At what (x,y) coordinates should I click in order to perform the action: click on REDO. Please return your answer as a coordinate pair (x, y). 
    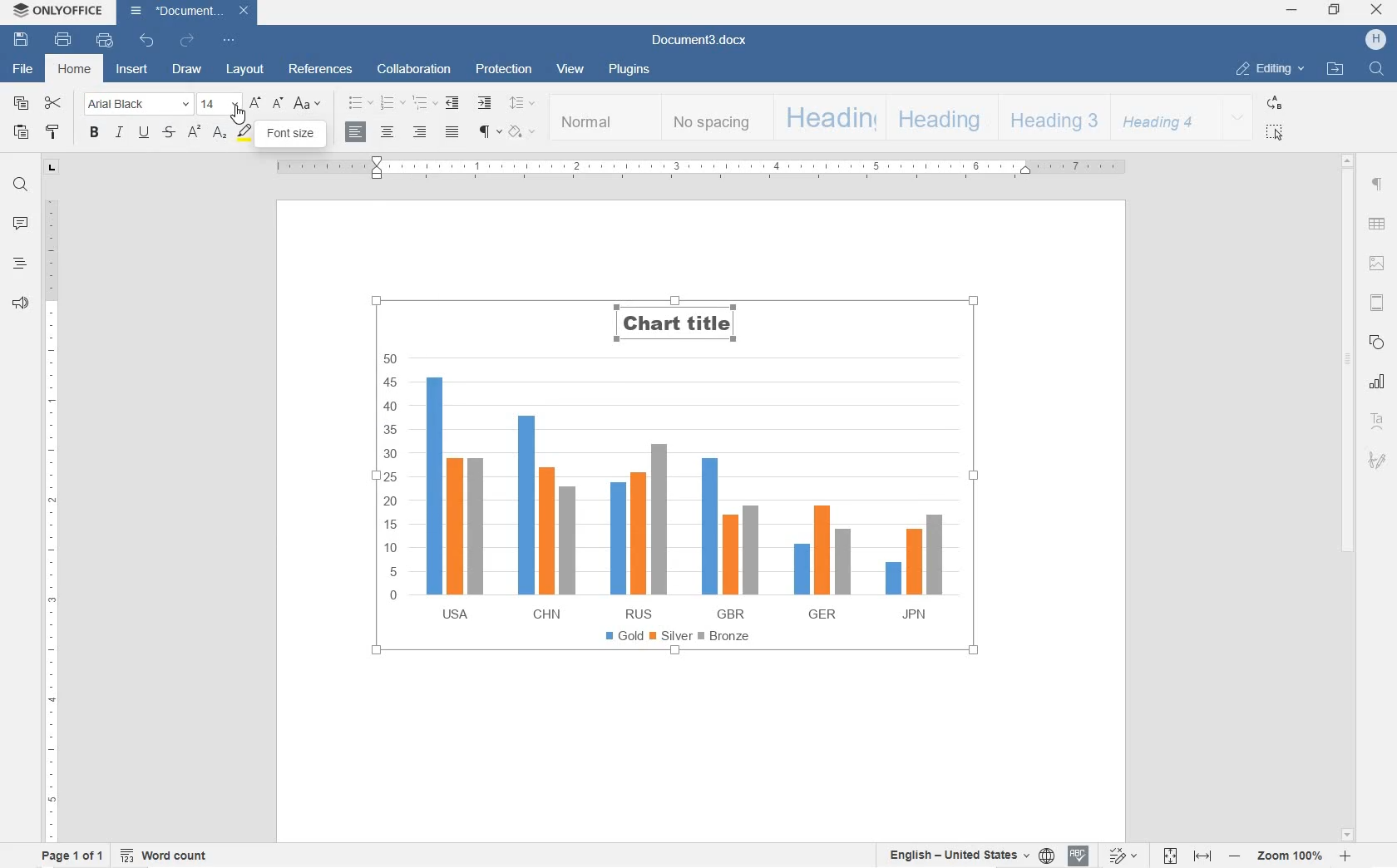
    Looking at the image, I should click on (188, 40).